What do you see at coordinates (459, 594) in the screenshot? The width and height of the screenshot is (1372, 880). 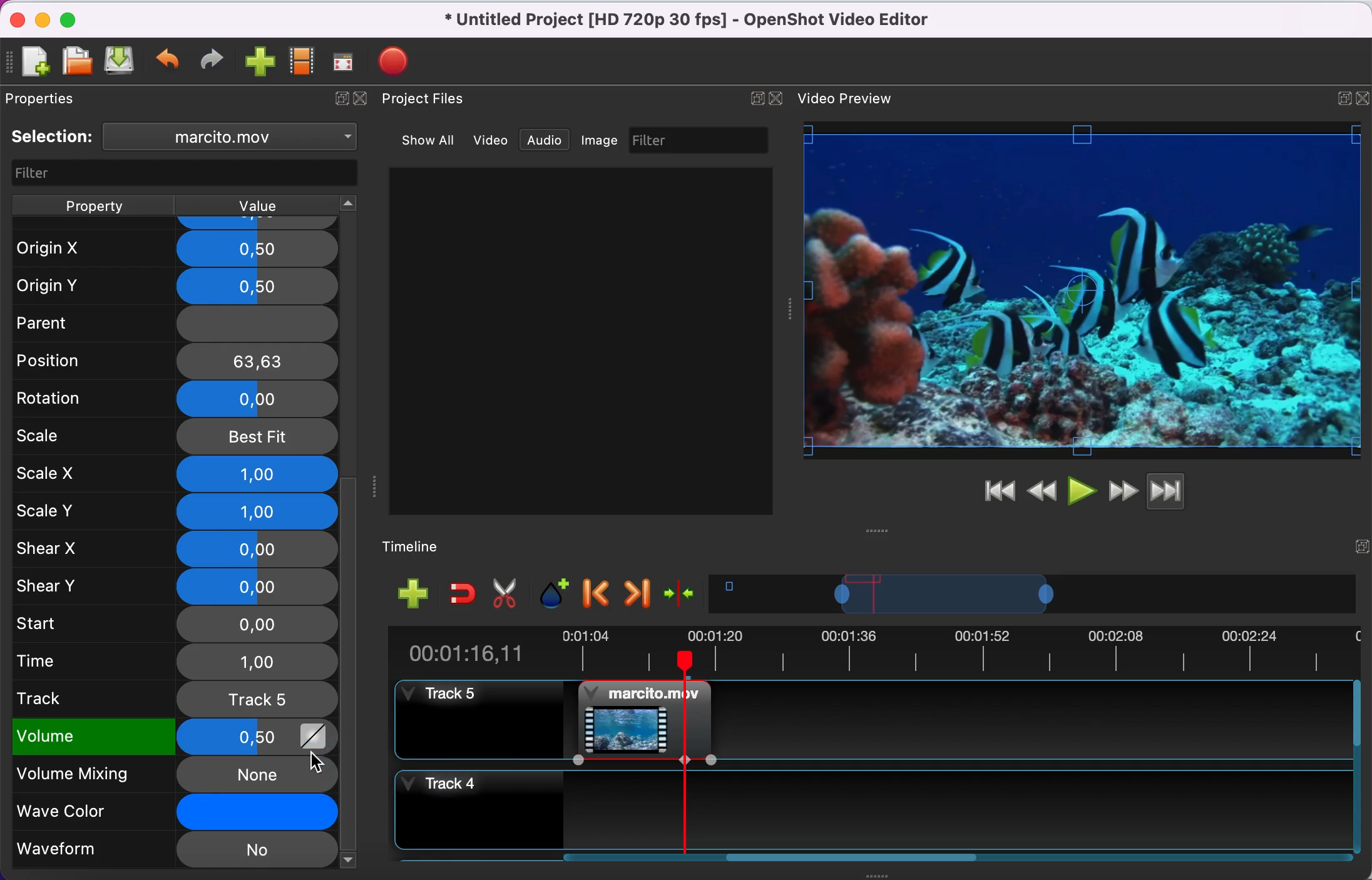 I see `enable snapping` at bounding box center [459, 594].